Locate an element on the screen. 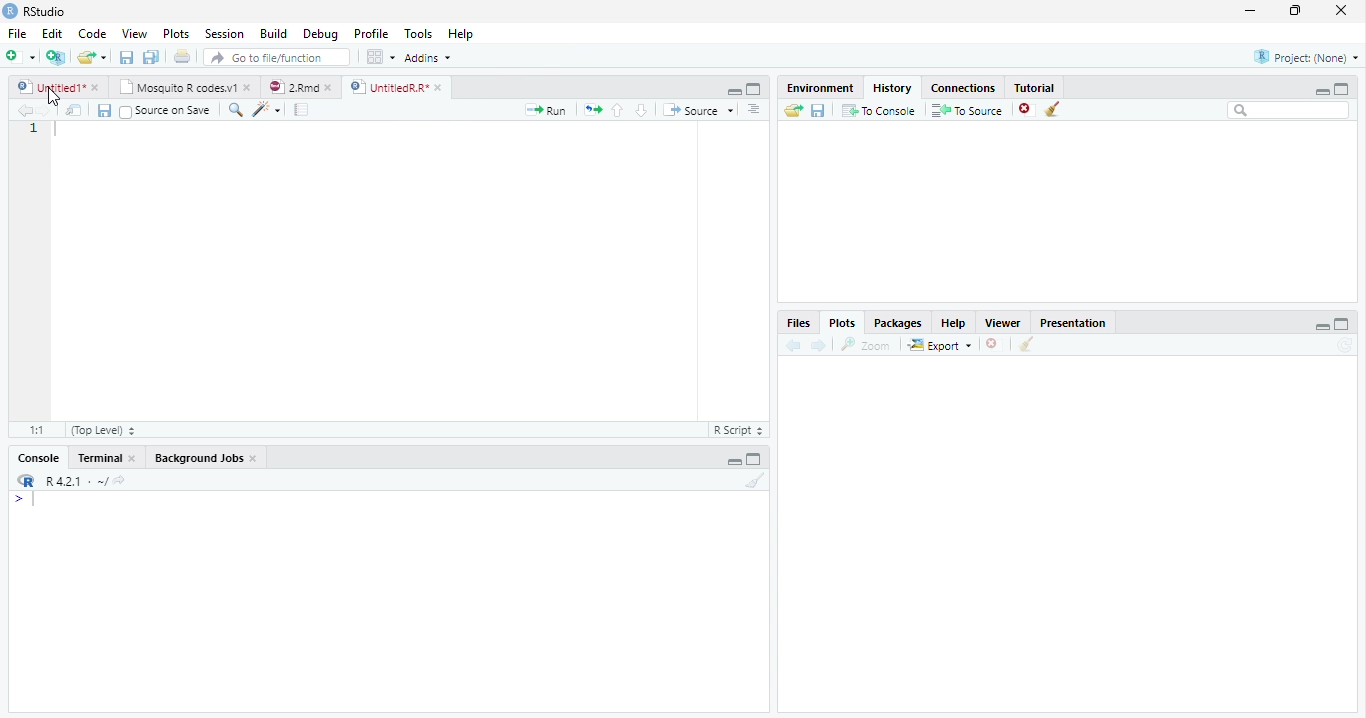 This screenshot has height=718, width=1366. Clean is located at coordinates (1026, 345).